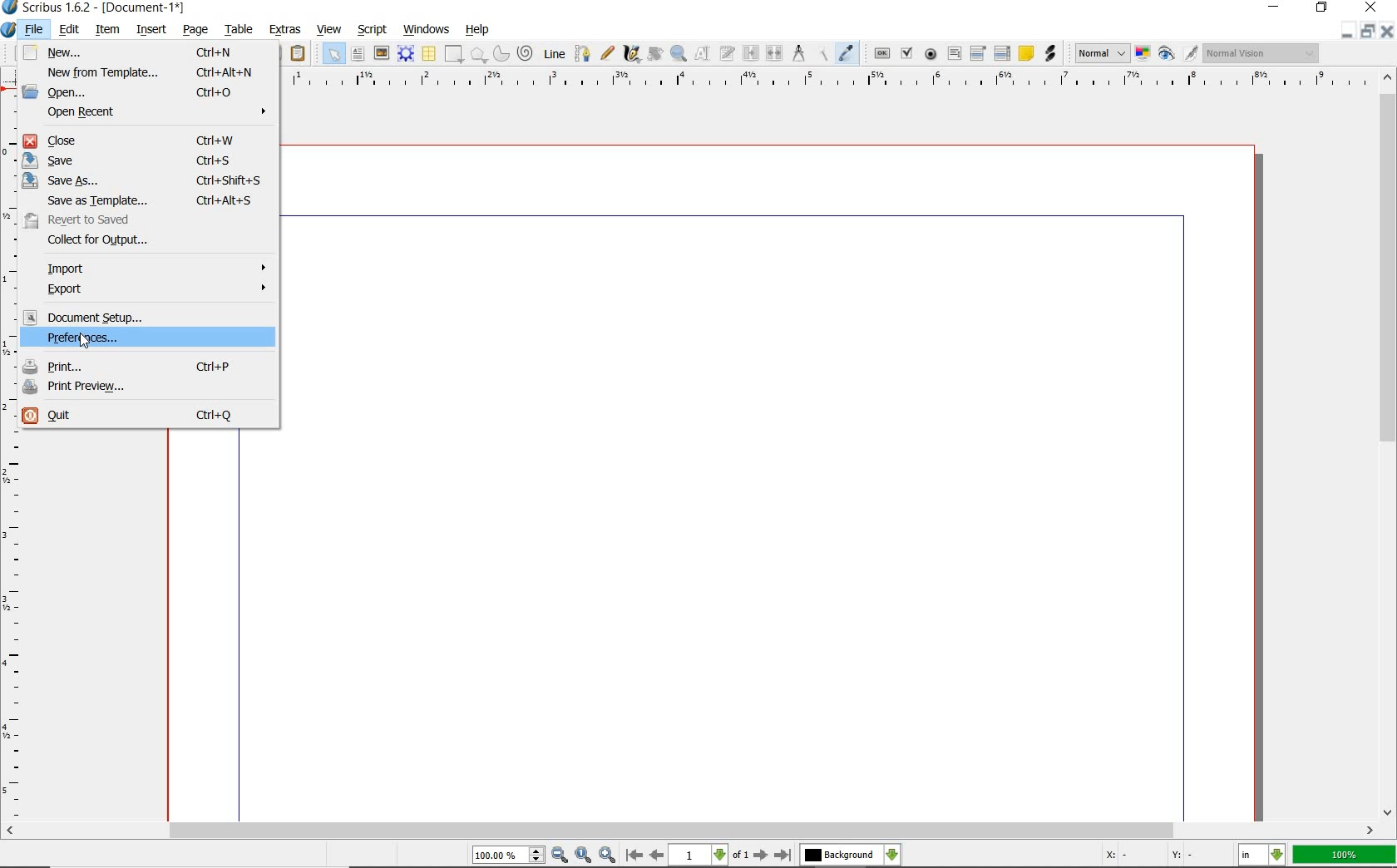 The height and width of the screenshot is (868, 1397). Describe the element at coordinates (703, 53) in the screenshot. I see `edit contents of frame` at that location.